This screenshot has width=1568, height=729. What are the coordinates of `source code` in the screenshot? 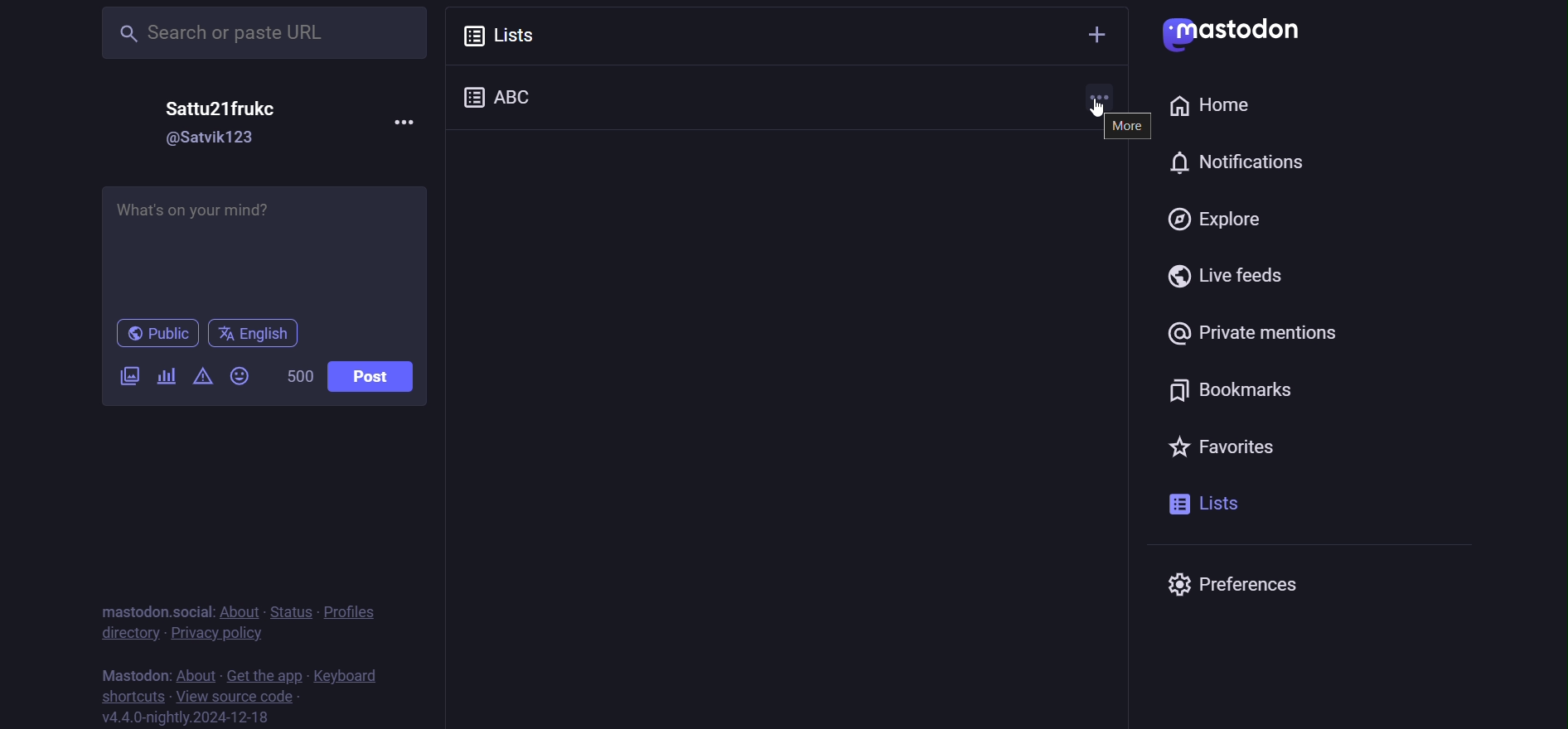 It's located at (236, 695).